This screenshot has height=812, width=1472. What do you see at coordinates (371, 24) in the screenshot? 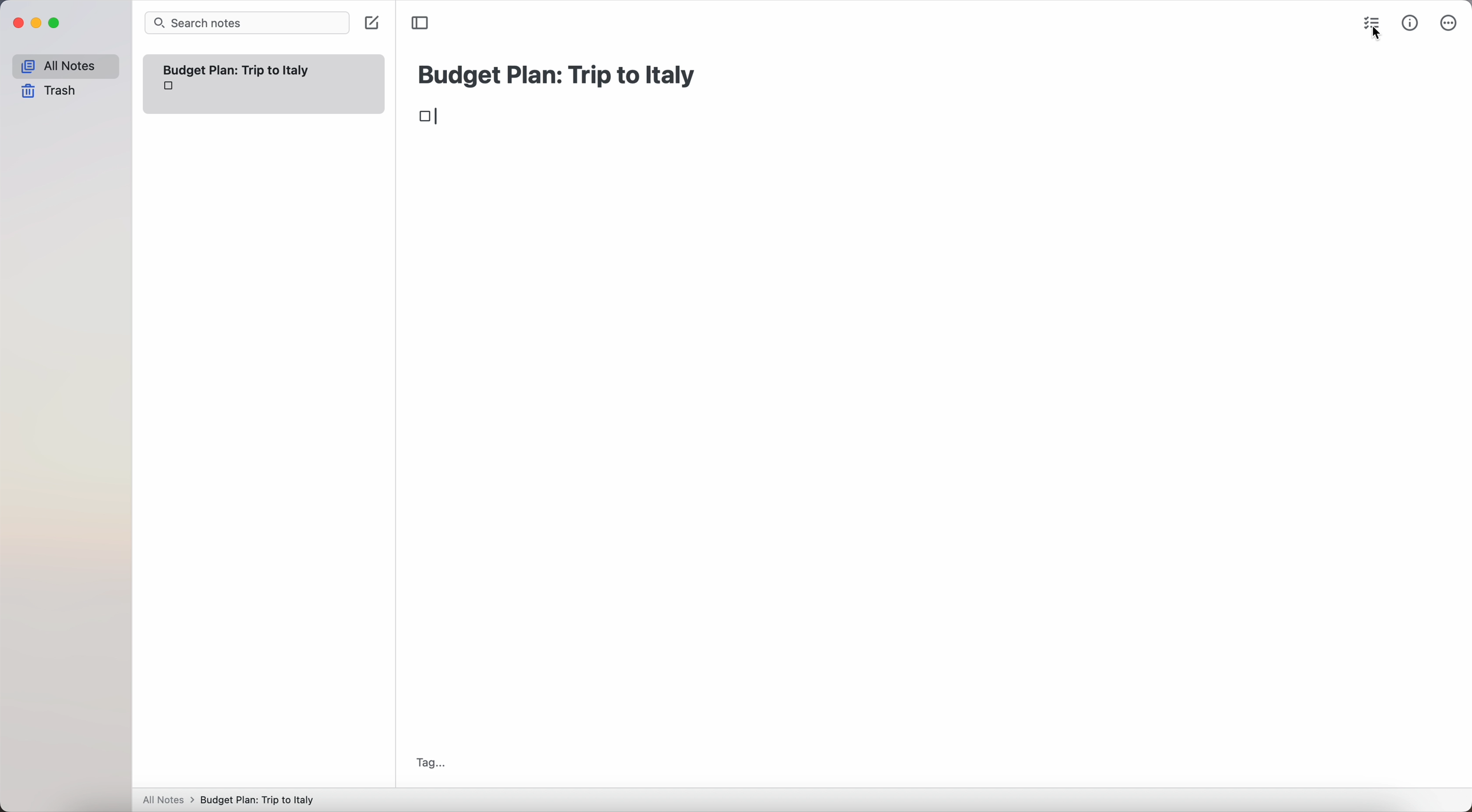
I see `create note` at bounding box center [371, 24].